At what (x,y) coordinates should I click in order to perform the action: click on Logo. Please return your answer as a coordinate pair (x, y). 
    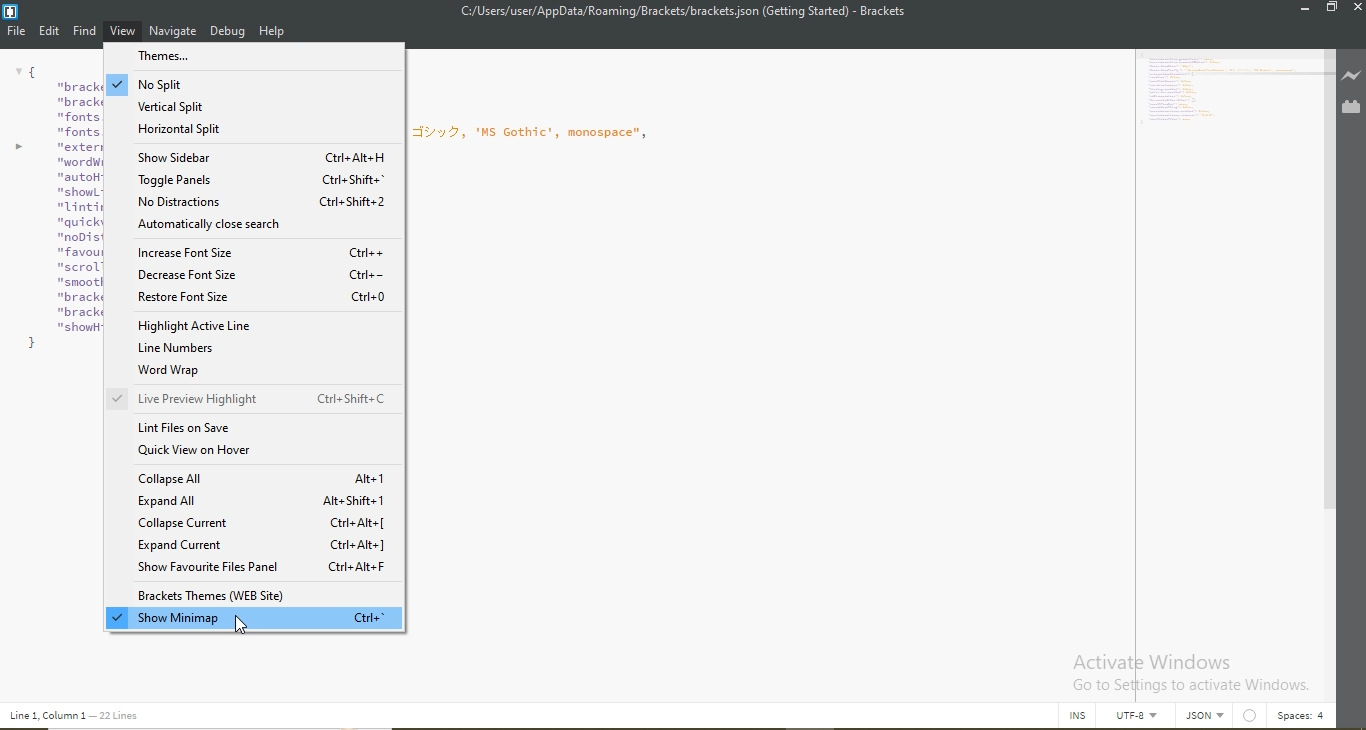
    Looking at the image, I should click on (11, 13).